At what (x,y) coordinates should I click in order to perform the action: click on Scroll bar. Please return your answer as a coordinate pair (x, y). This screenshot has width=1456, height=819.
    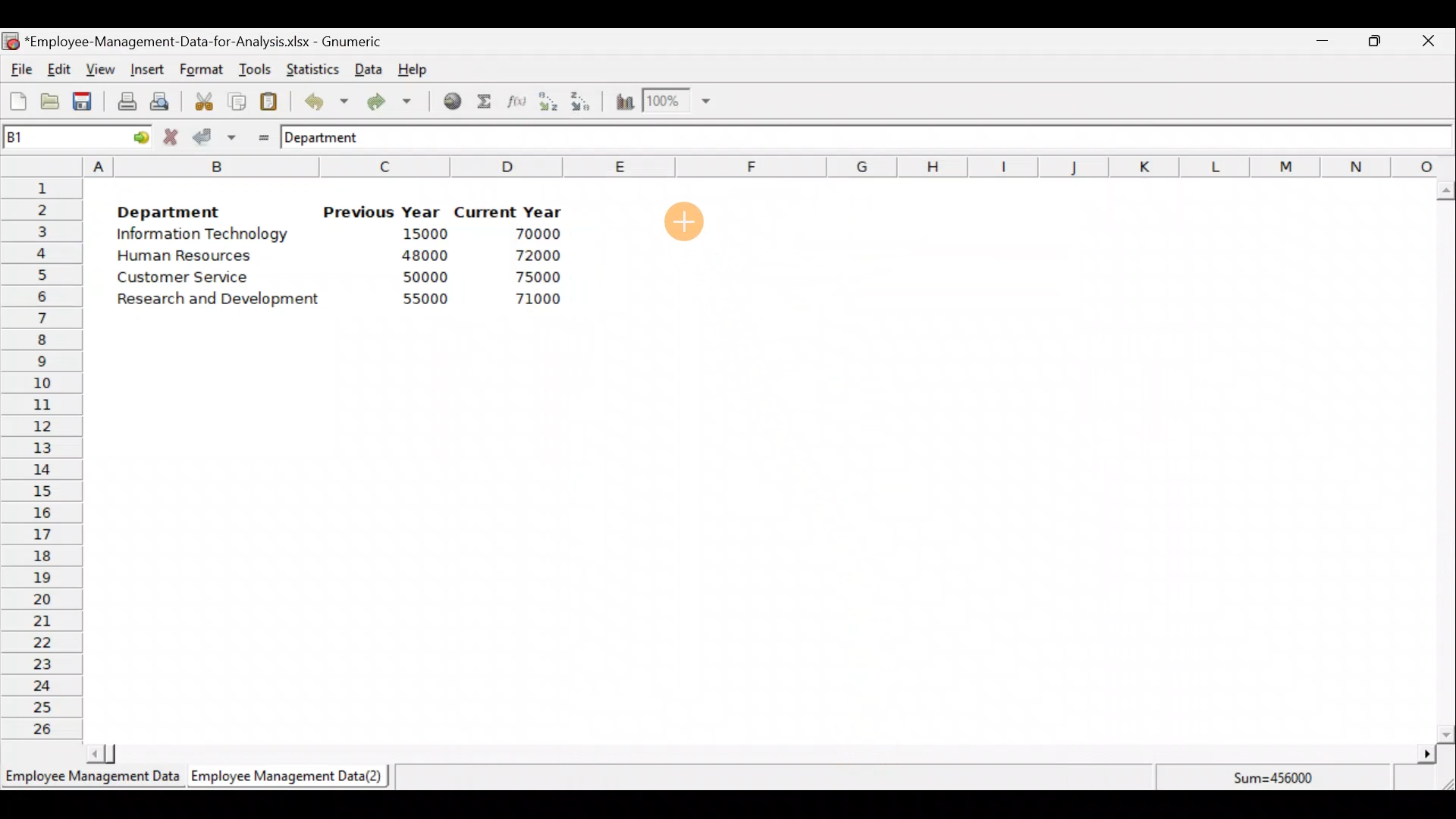
    Looking at the image, I should click on (758, 754).